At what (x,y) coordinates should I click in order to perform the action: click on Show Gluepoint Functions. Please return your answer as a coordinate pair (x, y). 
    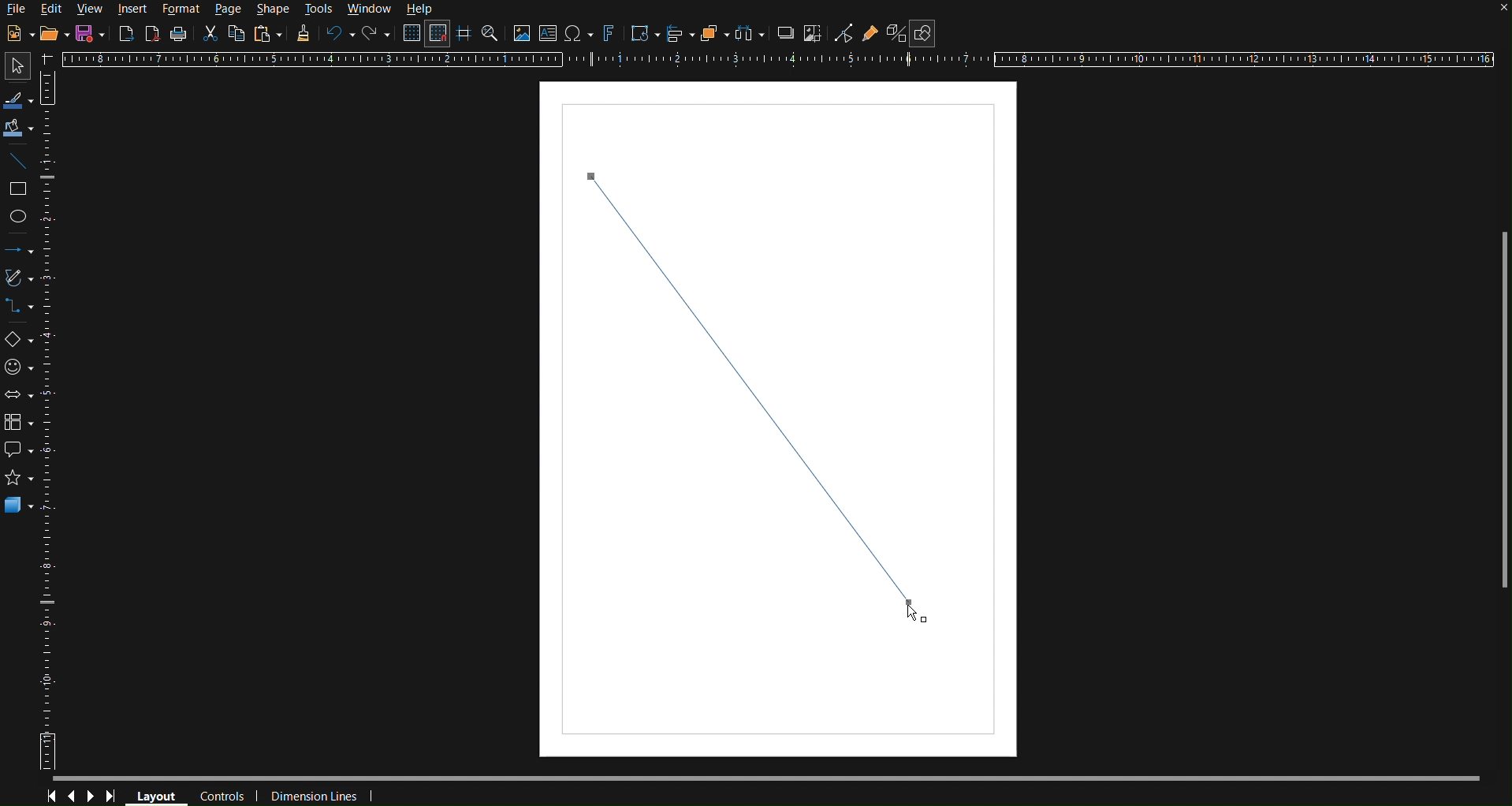
    Looking at the image, I should click on (870, 32).